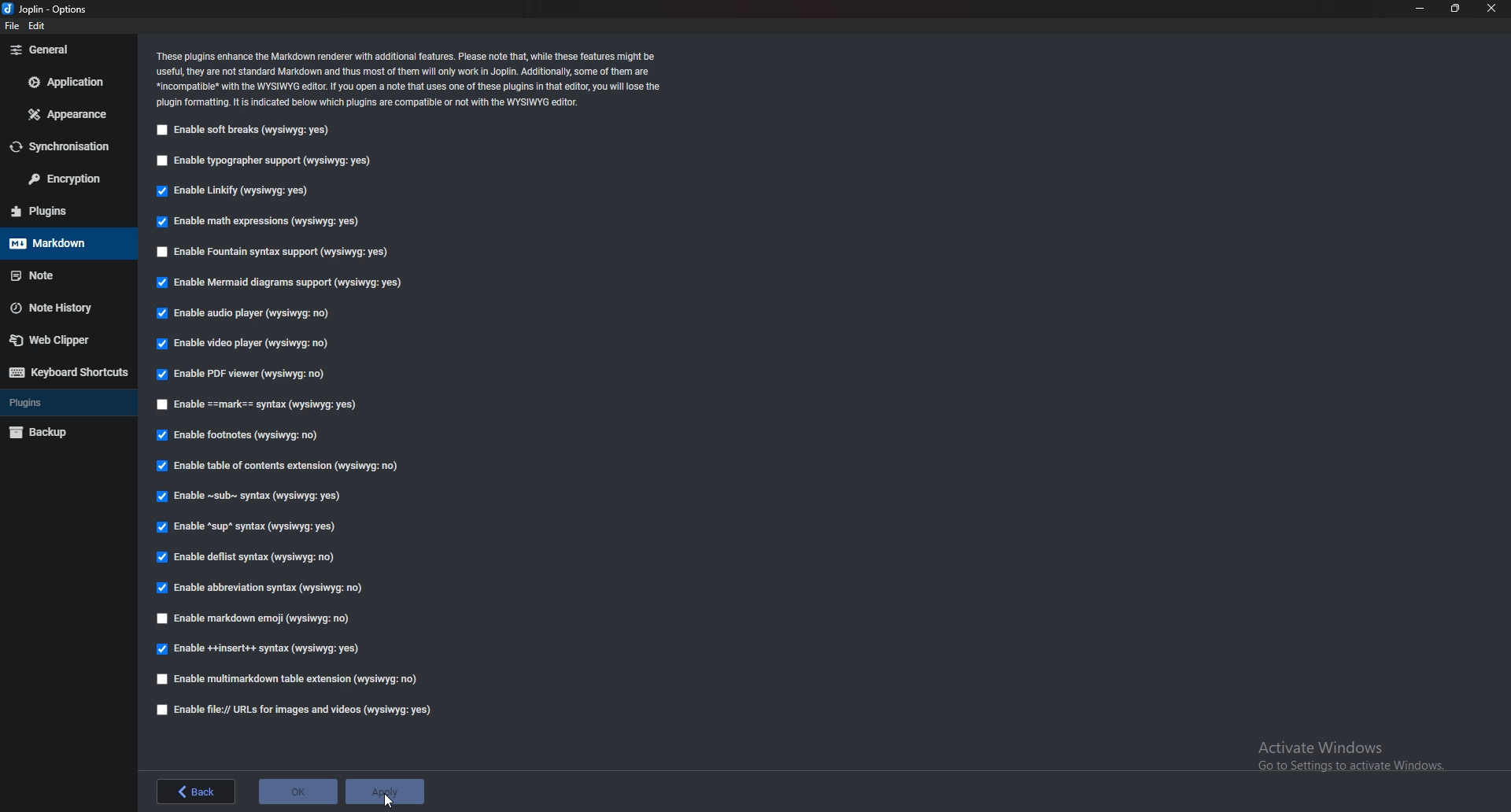  I want to click on enable multimarkdown table extensions, so click(295, 681).